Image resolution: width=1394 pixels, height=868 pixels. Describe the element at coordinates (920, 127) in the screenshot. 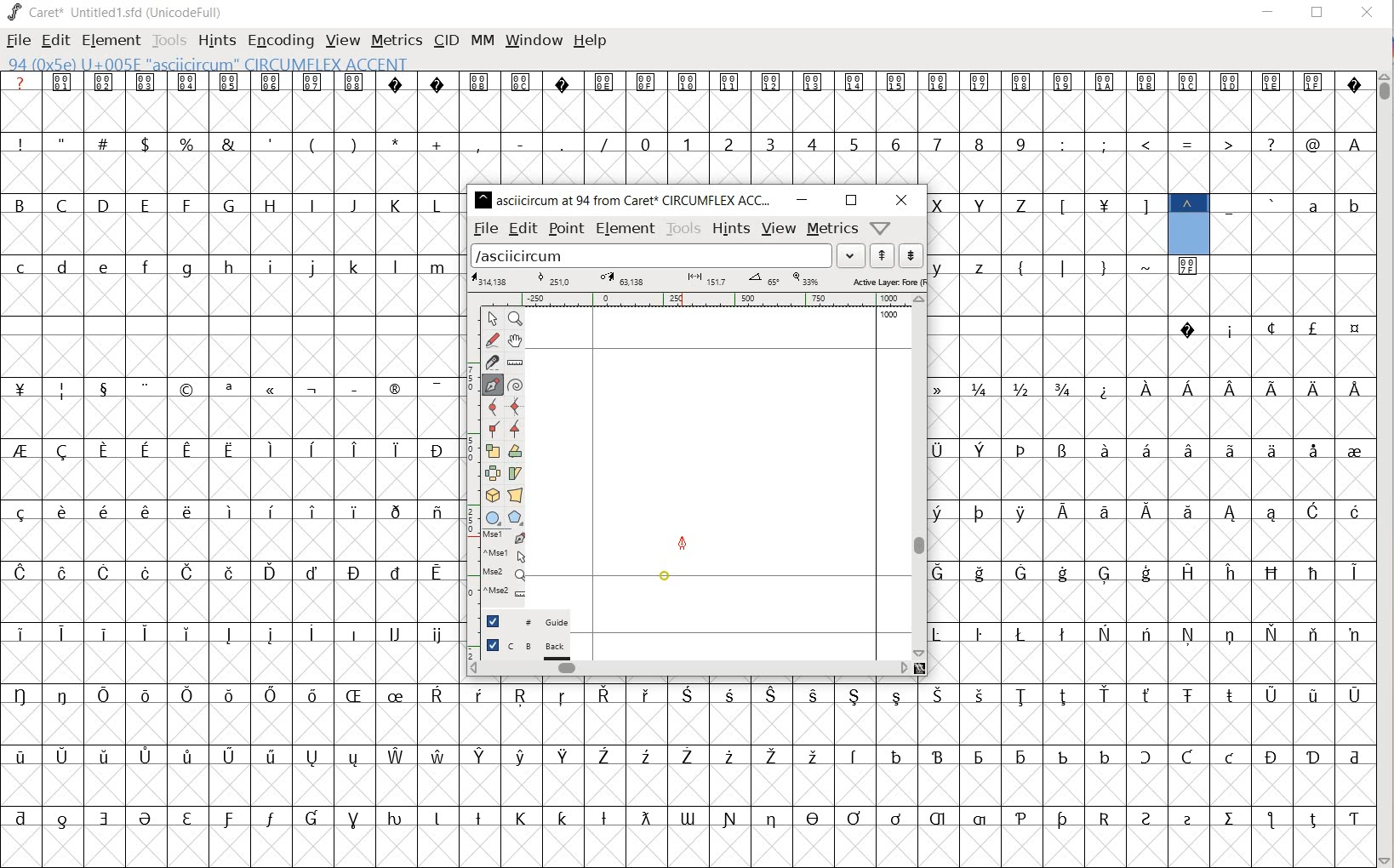

I see `glyph characters` at that location.